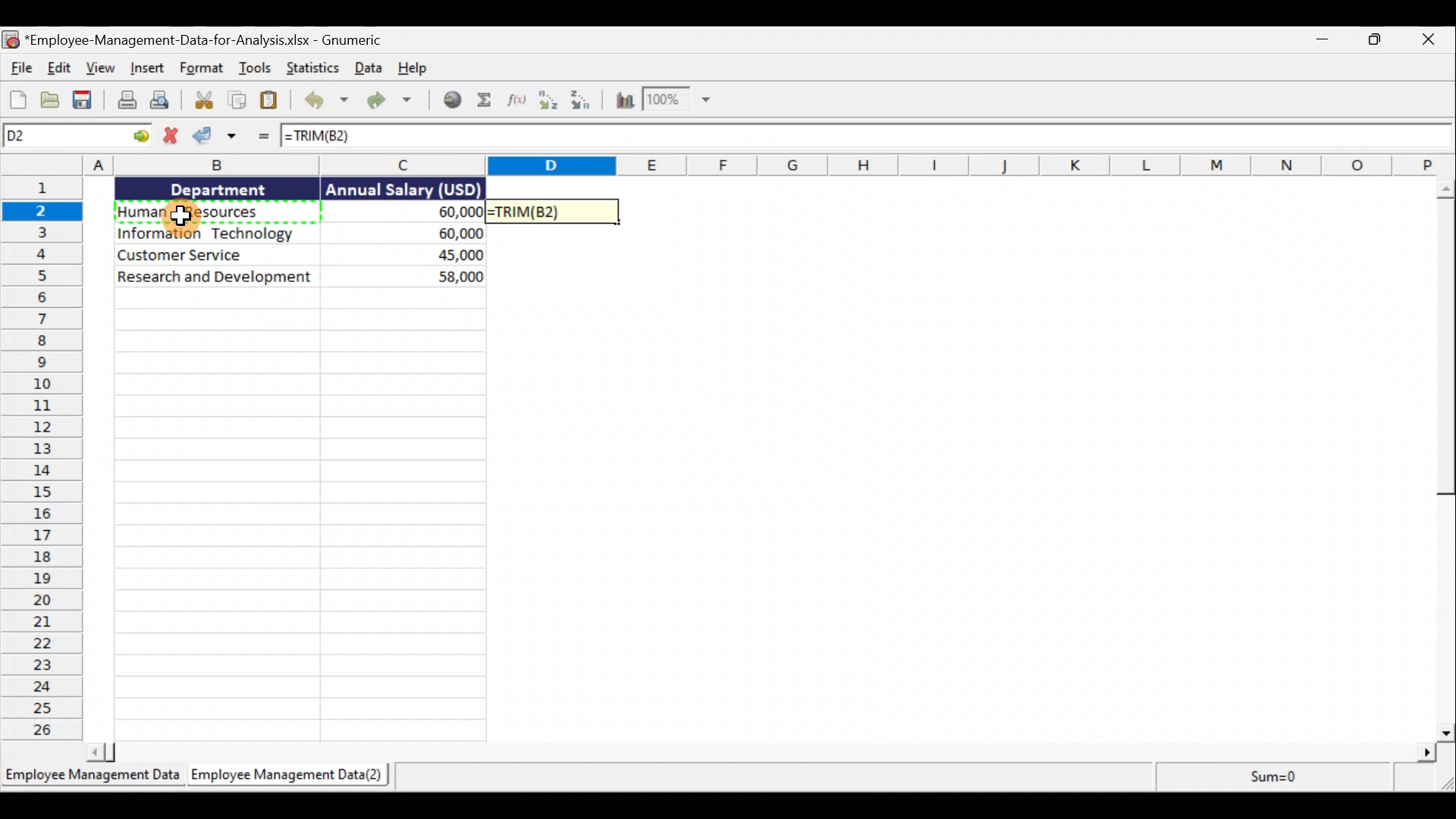  Describe the element at coordinates (313, 68) in the screenshot. I see `Statistics` at that location.